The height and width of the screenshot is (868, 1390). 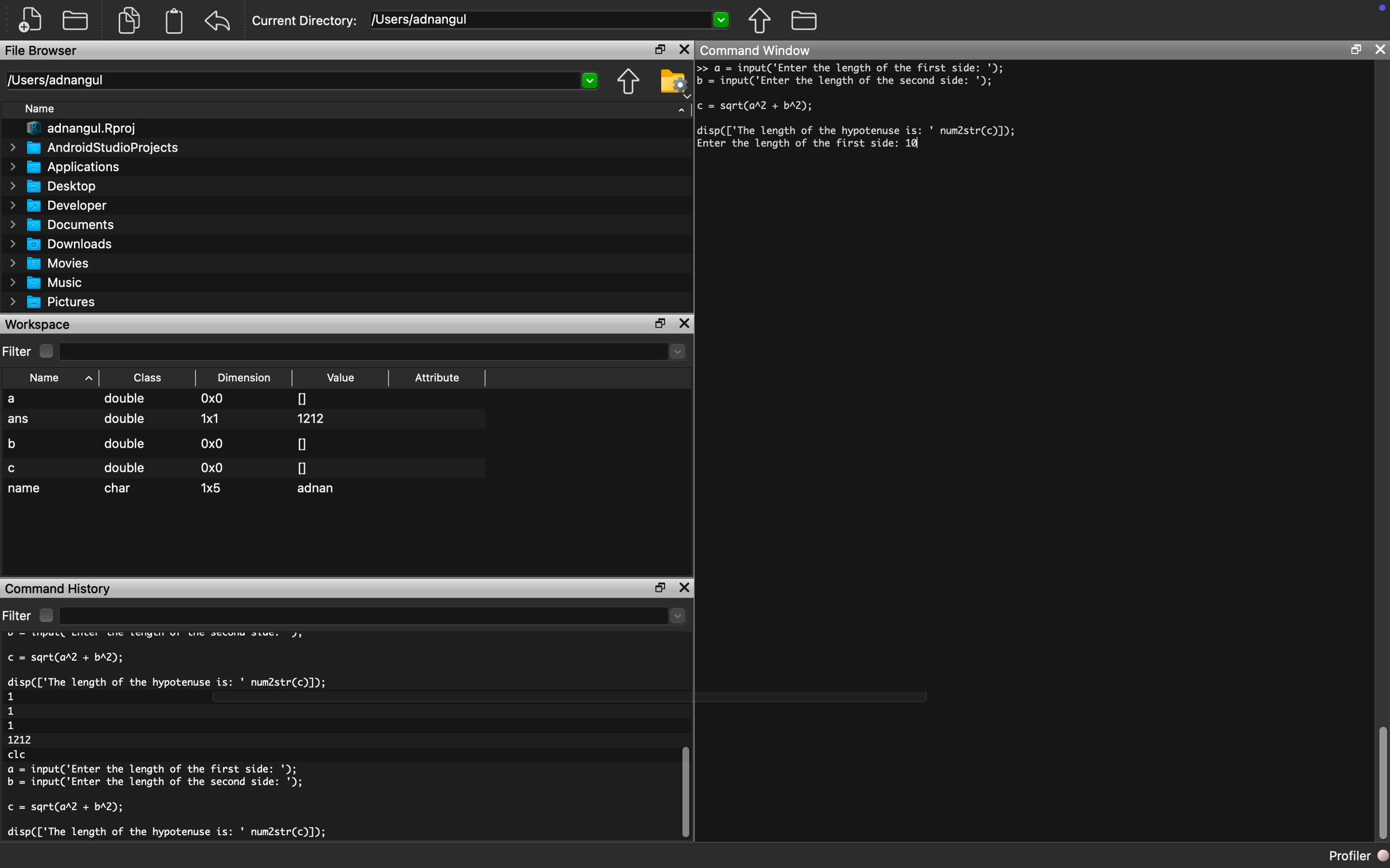 I want to click on Name, so click(x=54, y=377).